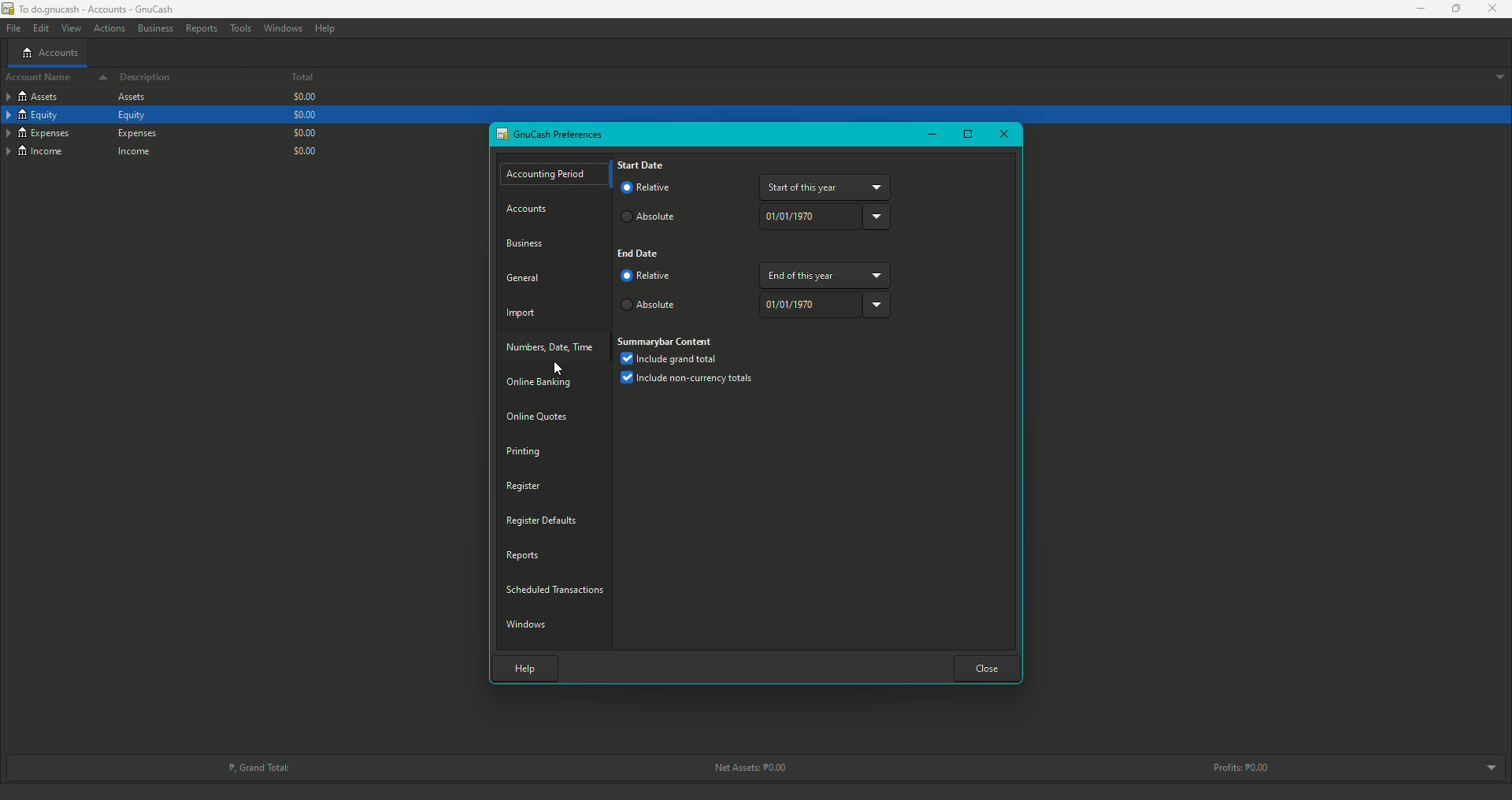 The image size is (1512, 800). Describe the element at coordinates (524, 276) in the screenshot. I see `General` at that location.